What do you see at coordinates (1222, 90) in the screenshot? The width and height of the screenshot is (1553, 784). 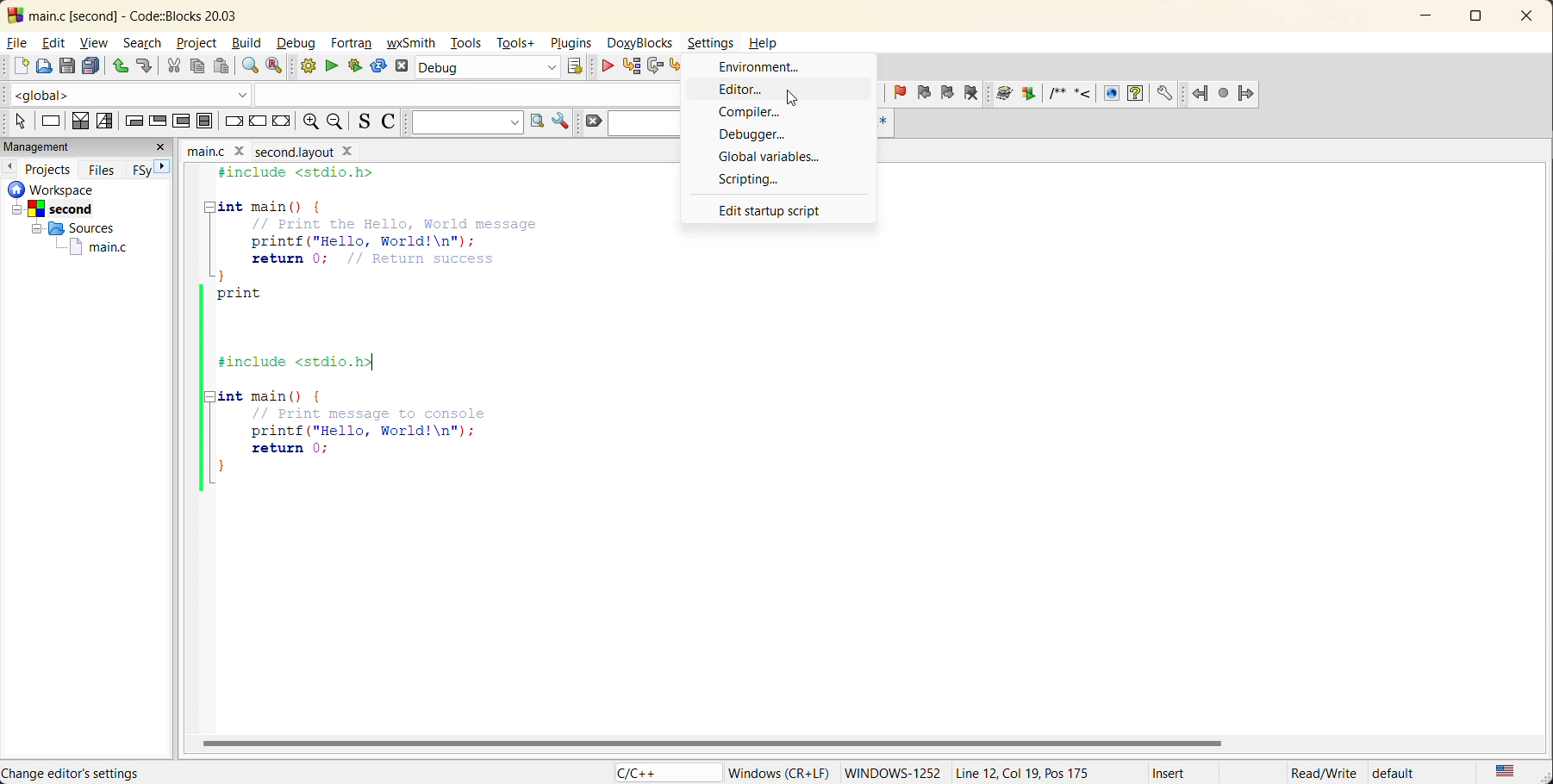 I see `last jump` at bounding box center [1222, 90].